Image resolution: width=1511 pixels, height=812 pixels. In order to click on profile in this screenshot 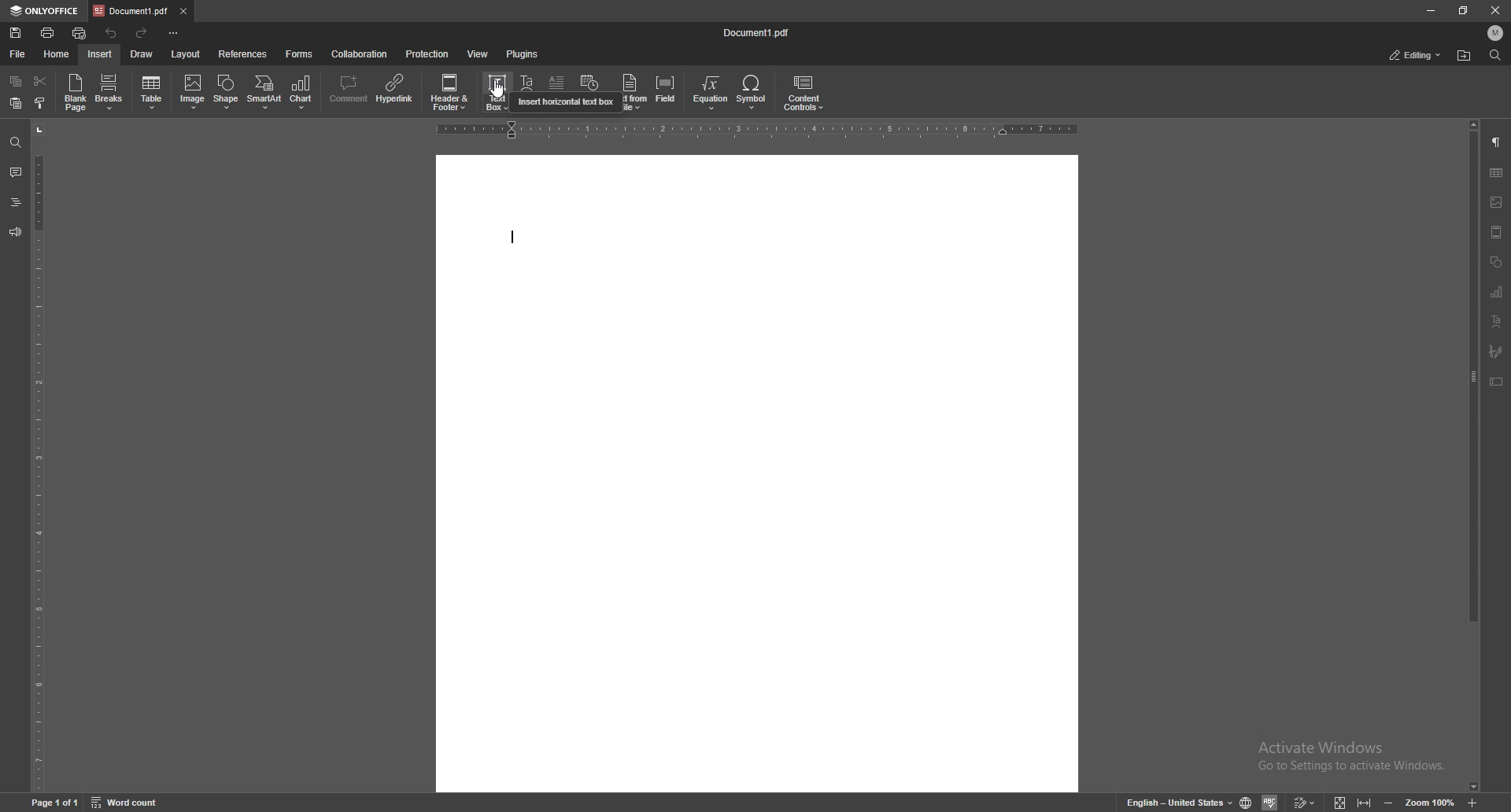, I will do `click(1496, 33)`.